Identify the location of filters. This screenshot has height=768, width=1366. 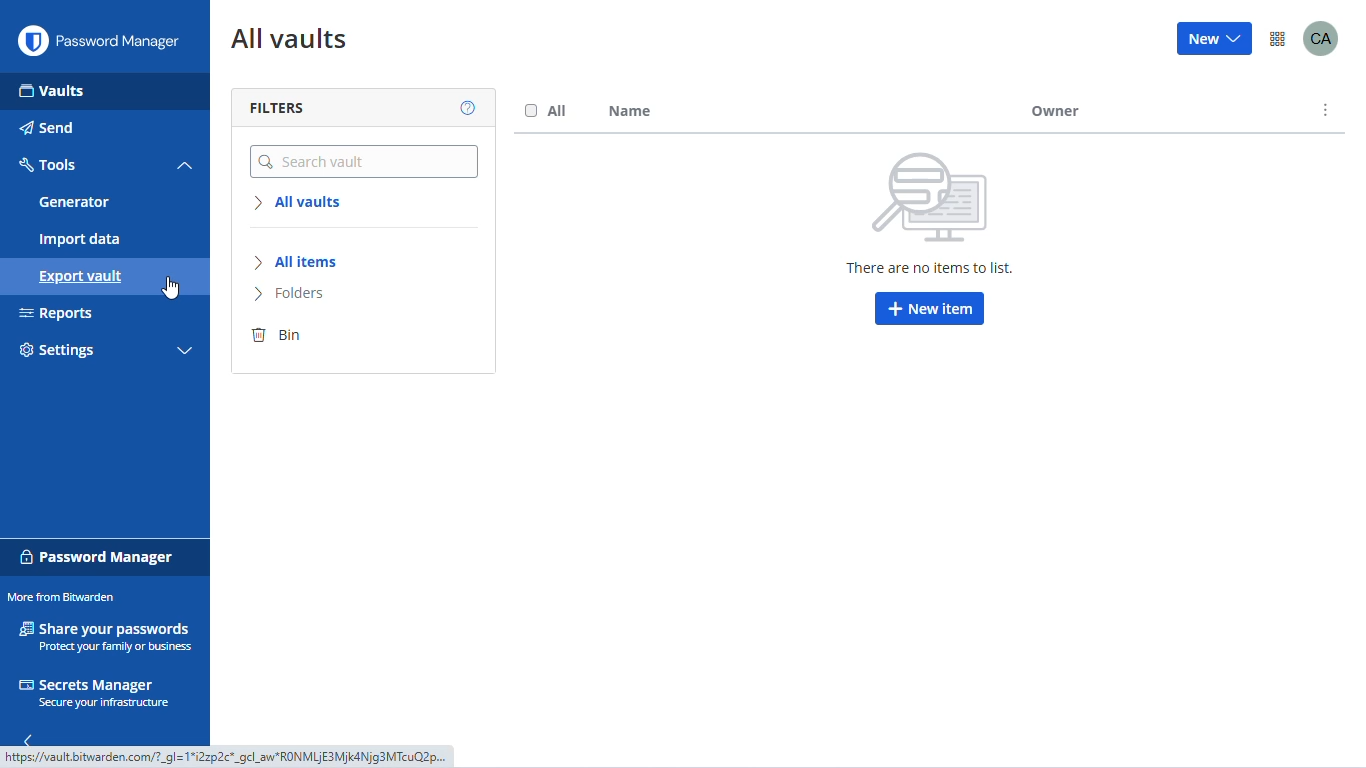
(276, 107).